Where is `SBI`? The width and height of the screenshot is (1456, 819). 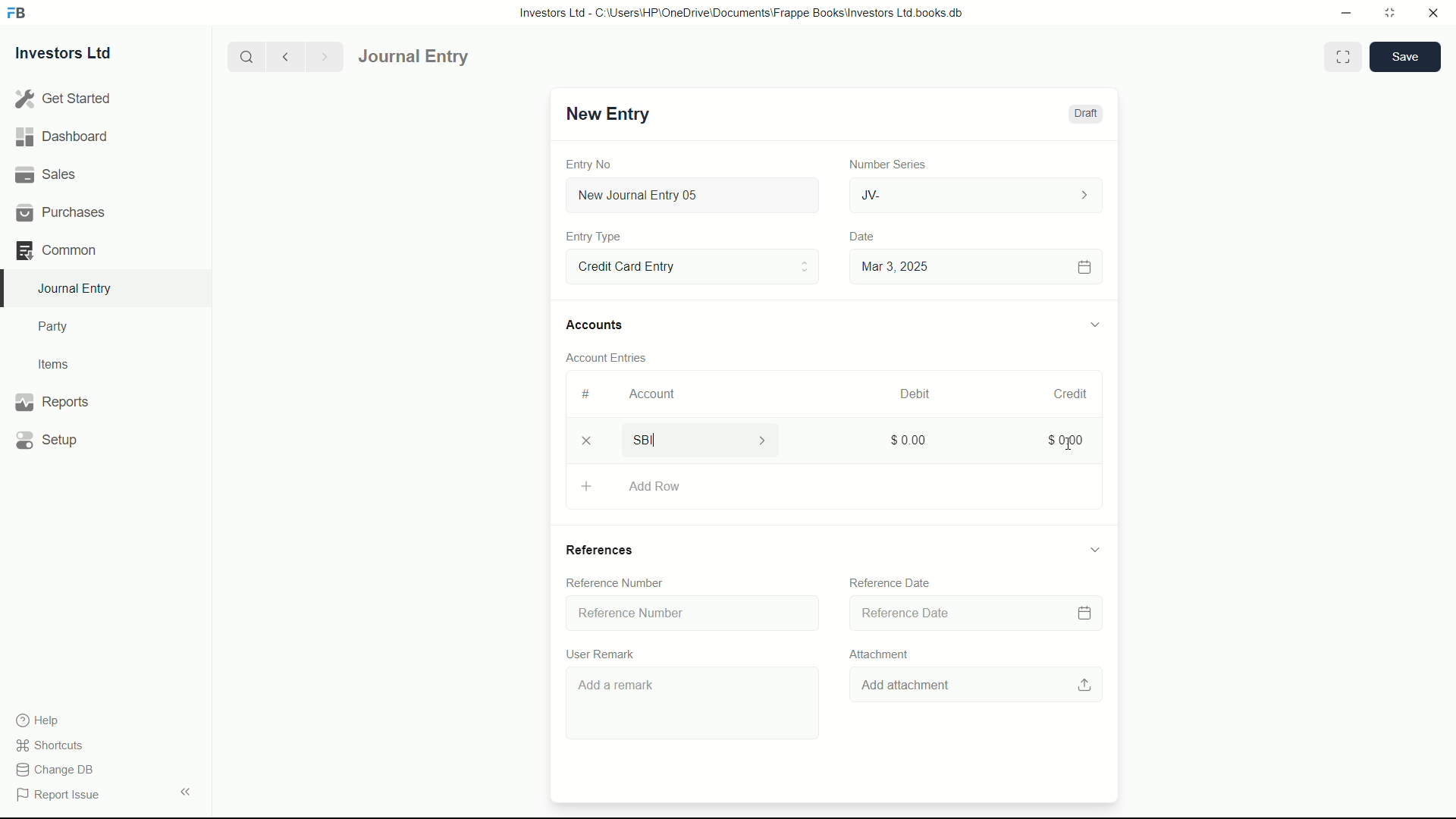 SBI is located at coordinates (710, 439).